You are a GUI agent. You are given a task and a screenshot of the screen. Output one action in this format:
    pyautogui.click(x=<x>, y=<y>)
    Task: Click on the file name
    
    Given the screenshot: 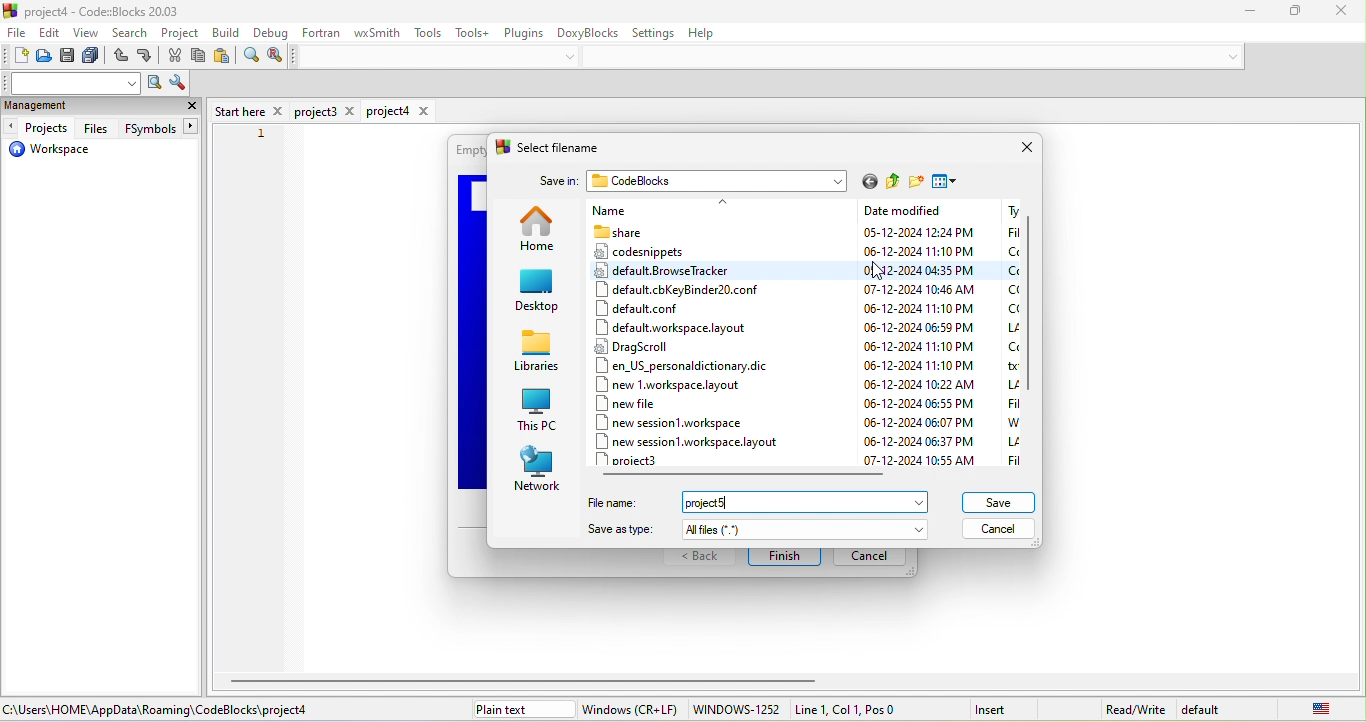 What is the action you would take?
    pyautogui.click(x=570, y=147)
    